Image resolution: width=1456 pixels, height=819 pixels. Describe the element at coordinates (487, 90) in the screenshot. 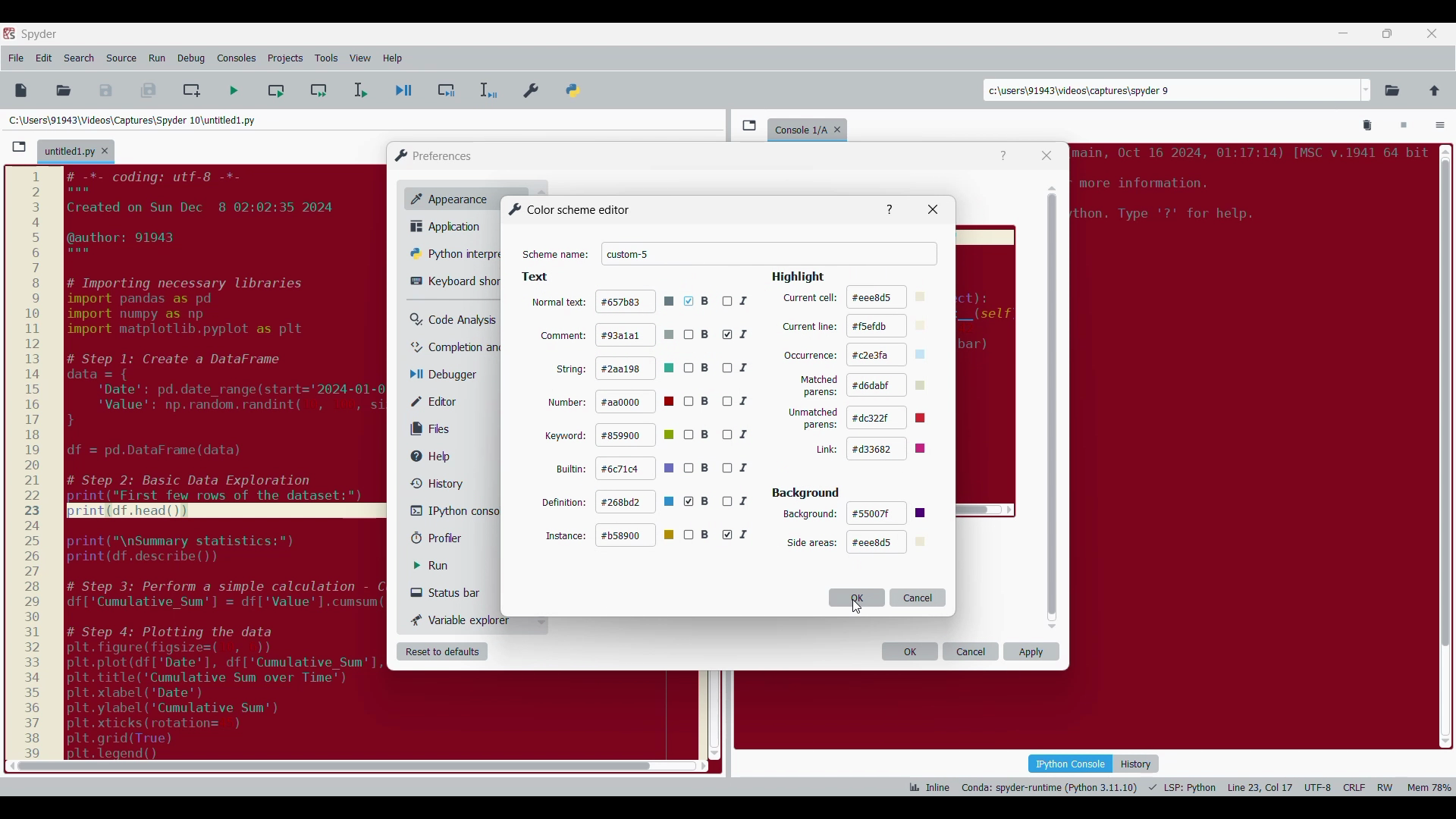

I see `Debug selection/current line` at that location.